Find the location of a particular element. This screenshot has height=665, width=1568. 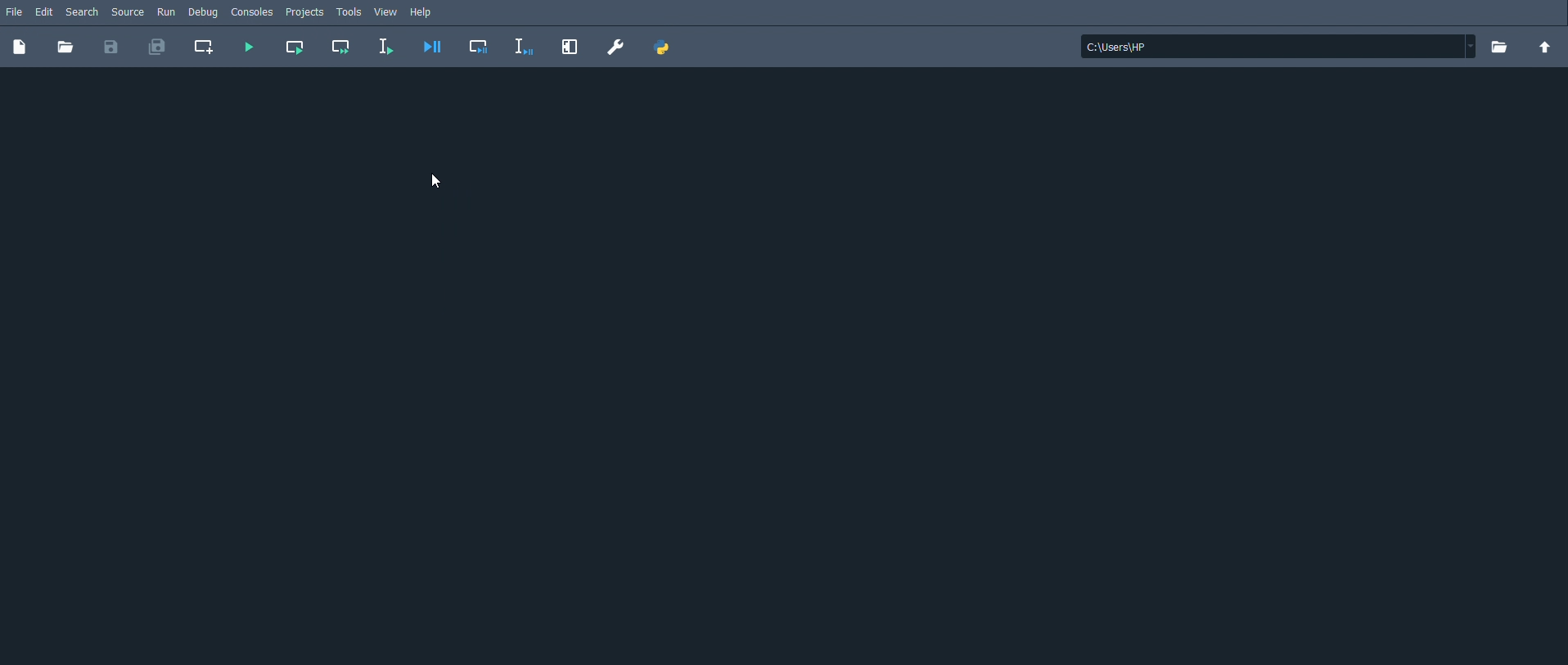

Change to parent directory is located at coordinates (1543, 47).